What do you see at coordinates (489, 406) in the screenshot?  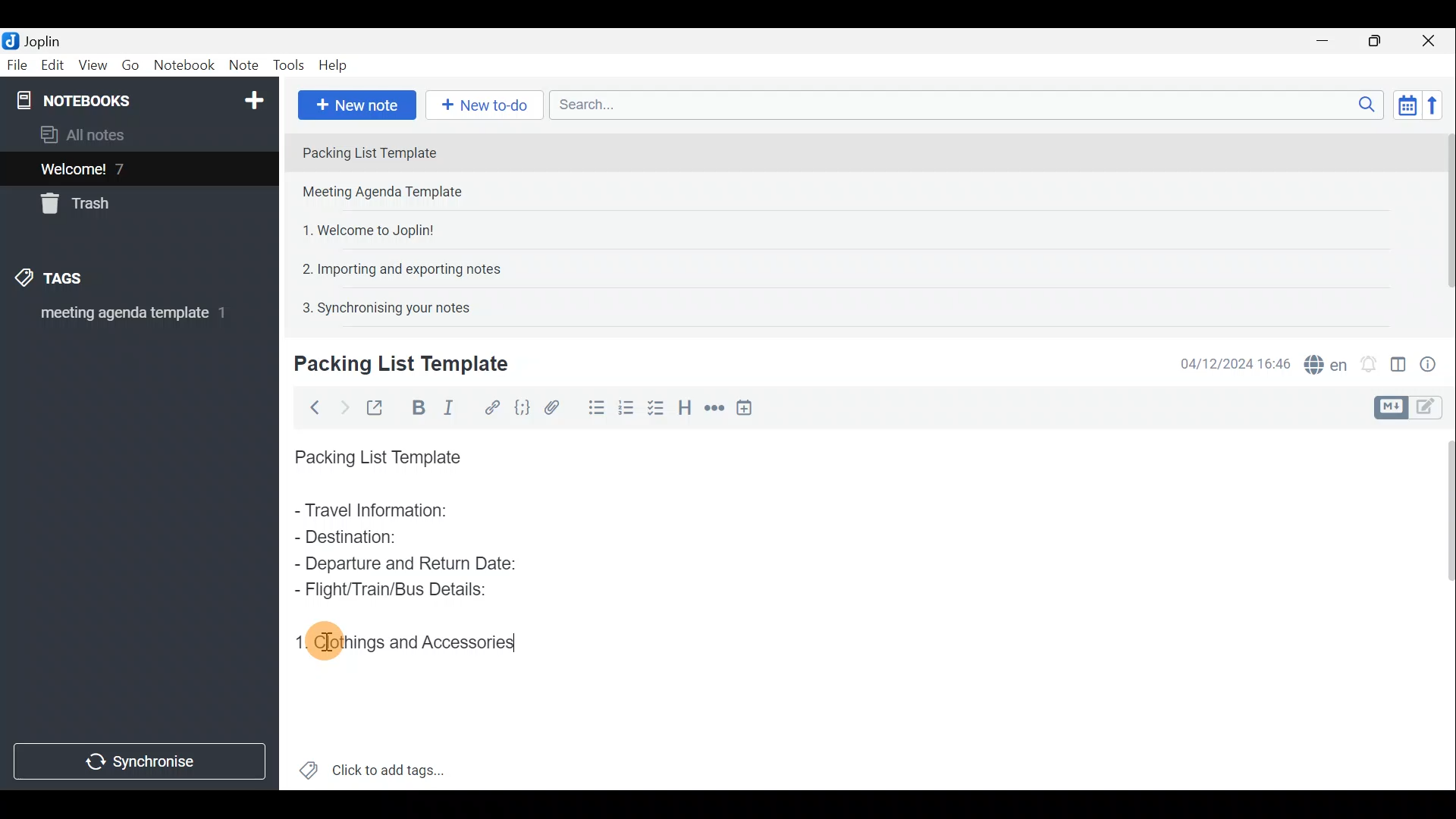 I see `Hyperlink` at bounding box center [489, 406].